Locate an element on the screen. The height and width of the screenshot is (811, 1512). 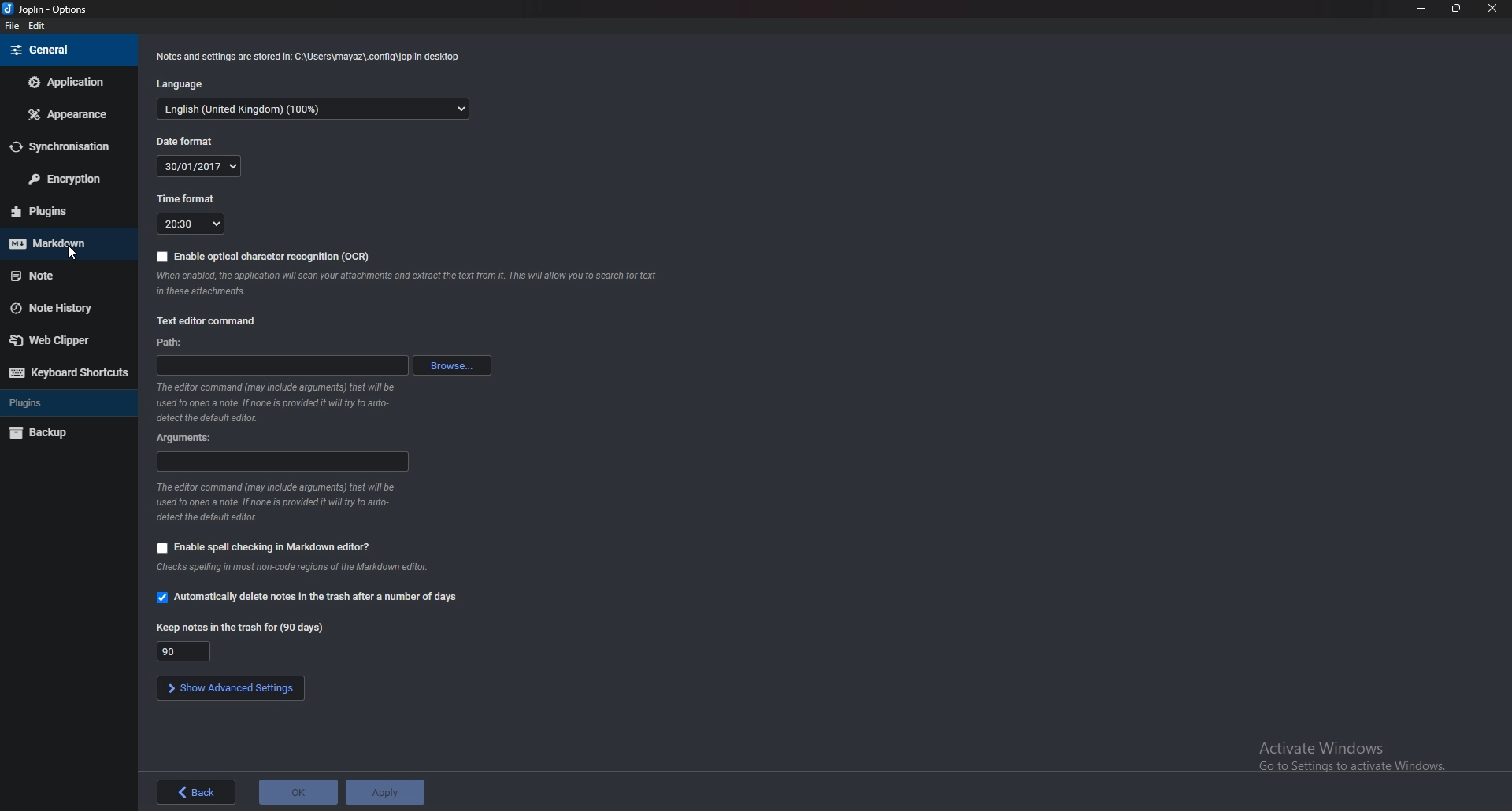
Enable spell checking is located at coordinates (265, 546).